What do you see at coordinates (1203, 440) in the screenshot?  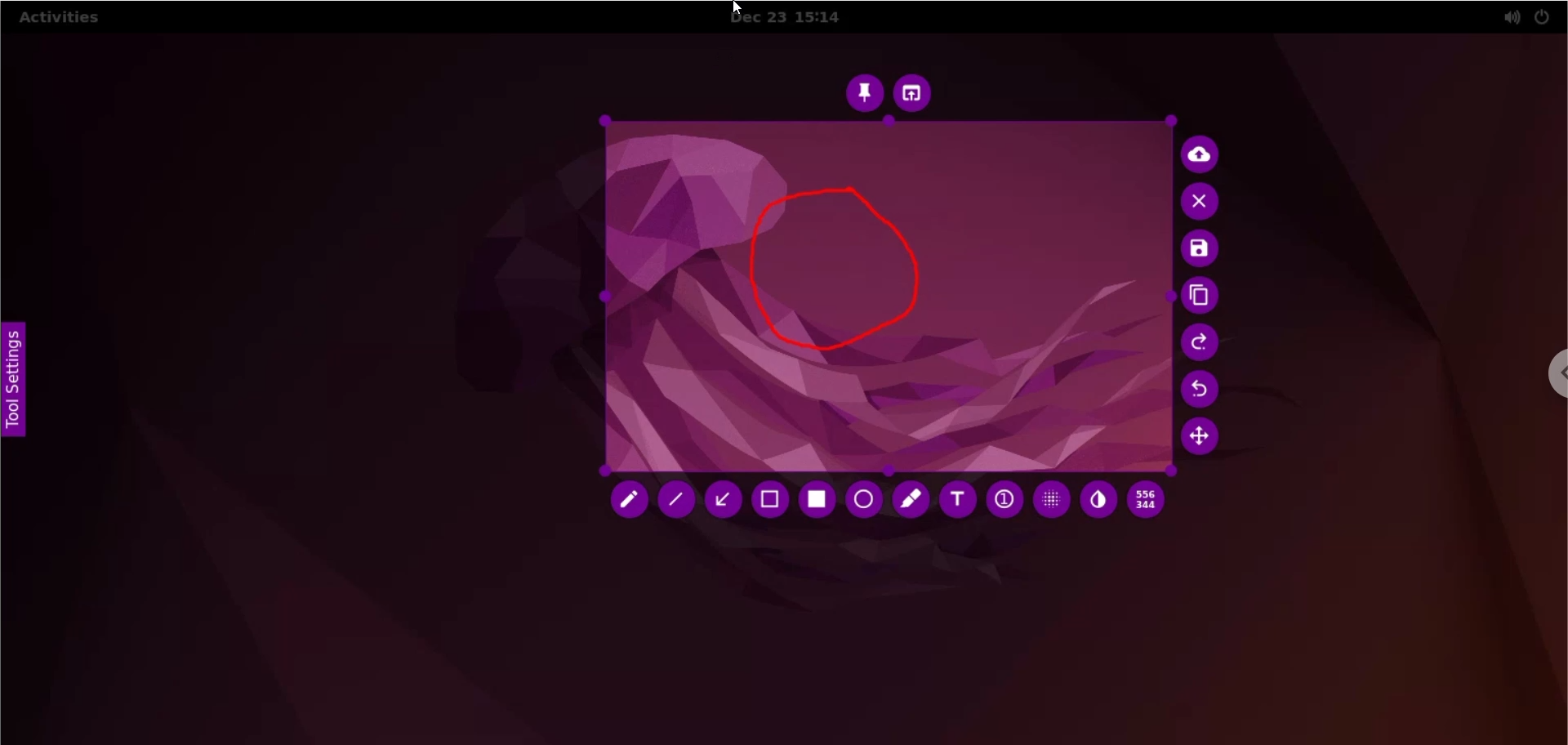 I see `move selection` at bounding box center [1203, 440].